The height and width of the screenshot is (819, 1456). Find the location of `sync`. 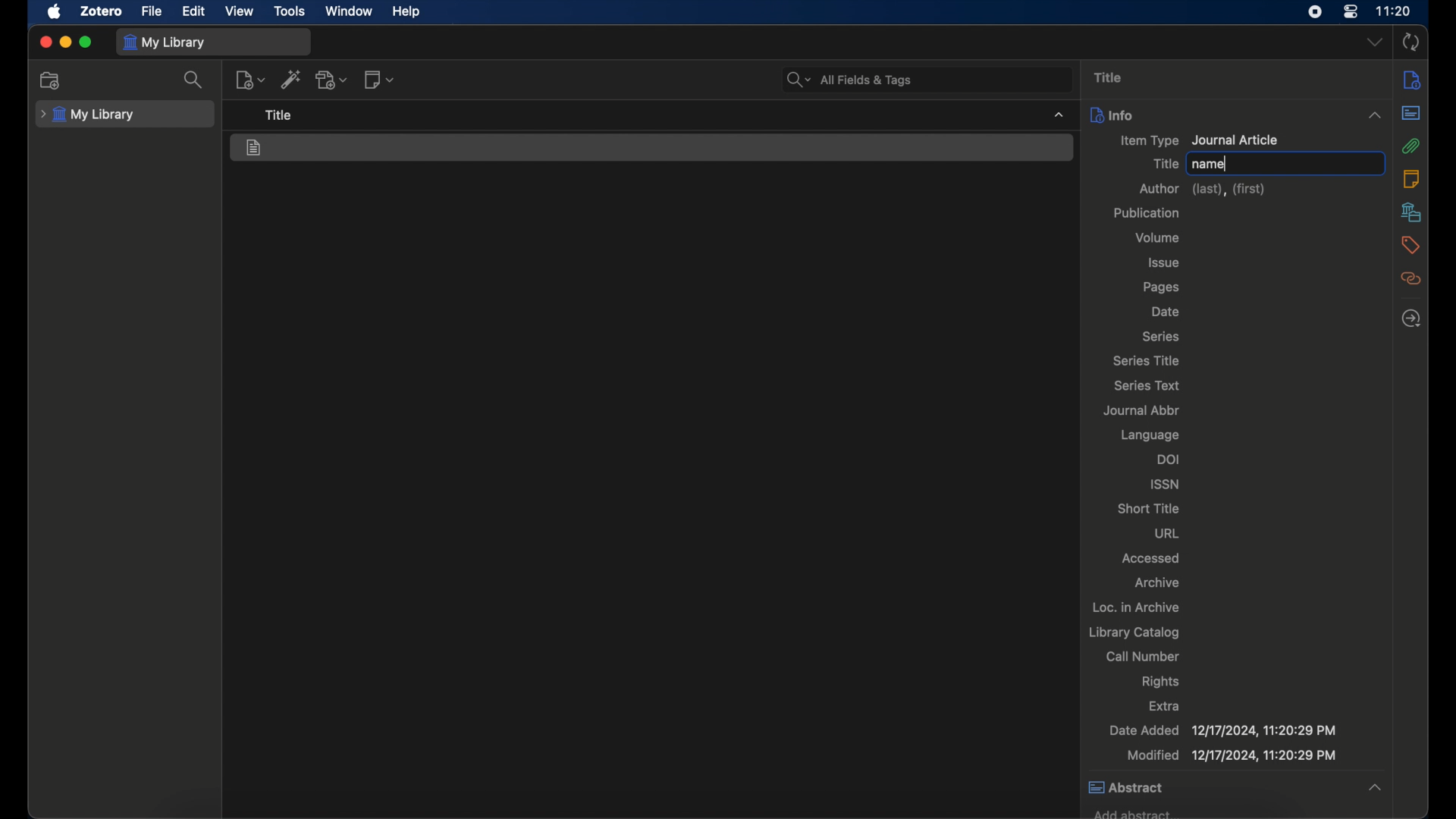

sync is located at coordinates (1411, 42).